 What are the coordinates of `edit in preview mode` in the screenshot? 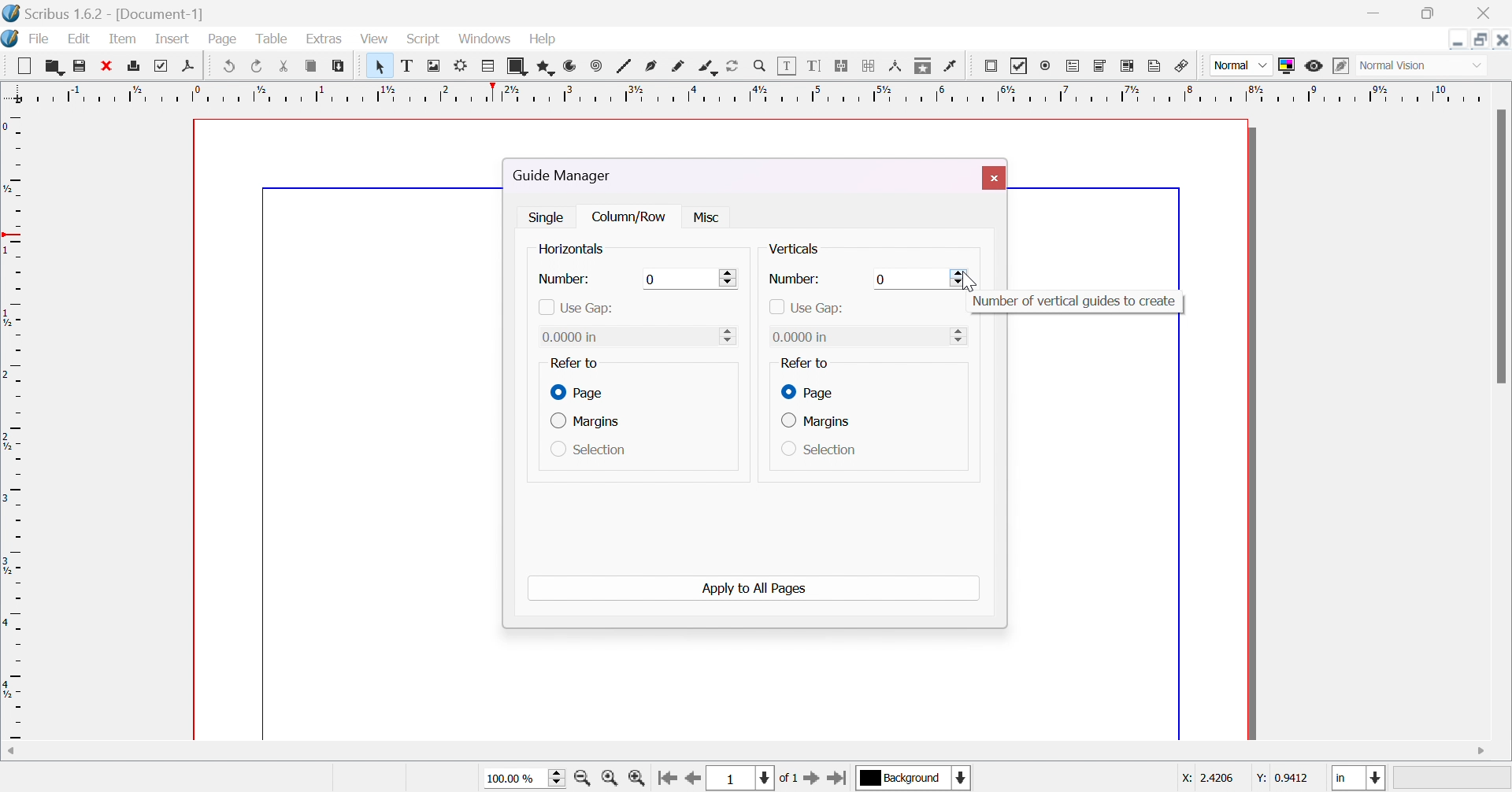 It's located at (1341, 65).